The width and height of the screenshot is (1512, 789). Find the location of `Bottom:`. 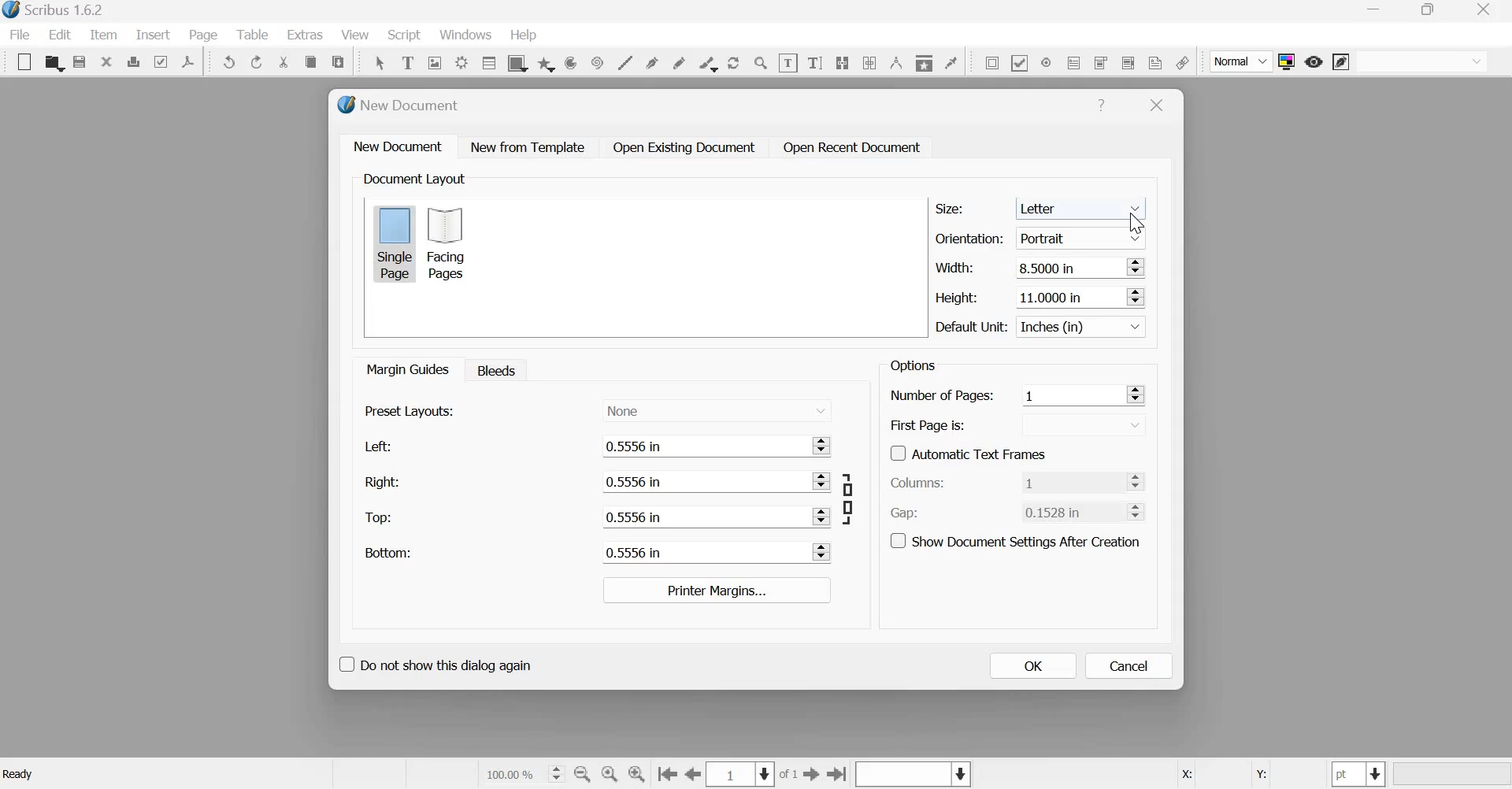

Bottom: is located at coordinates (387, 552).